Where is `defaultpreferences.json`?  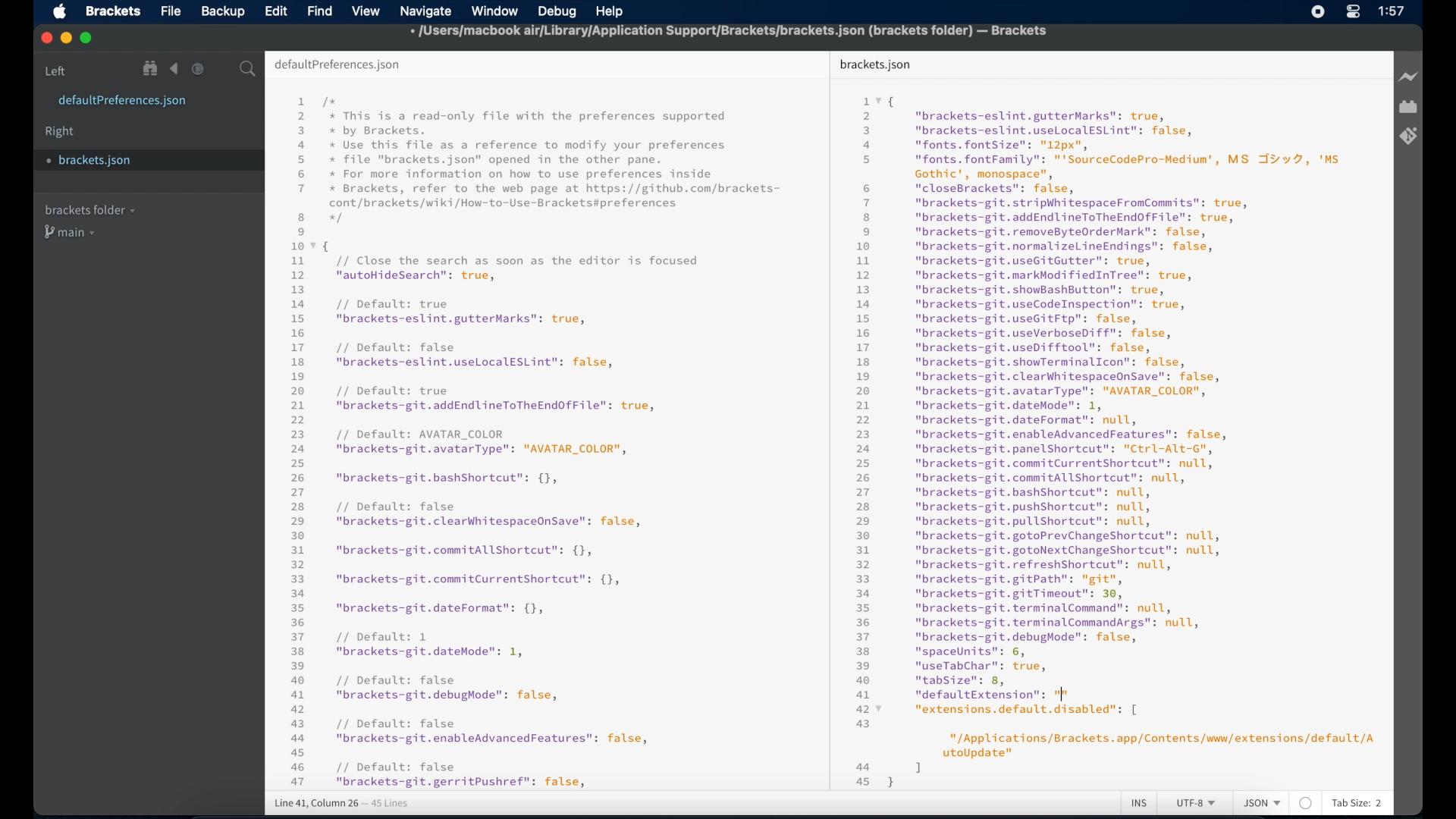 defaultpreferences.json is located at coordinates (123, 102).